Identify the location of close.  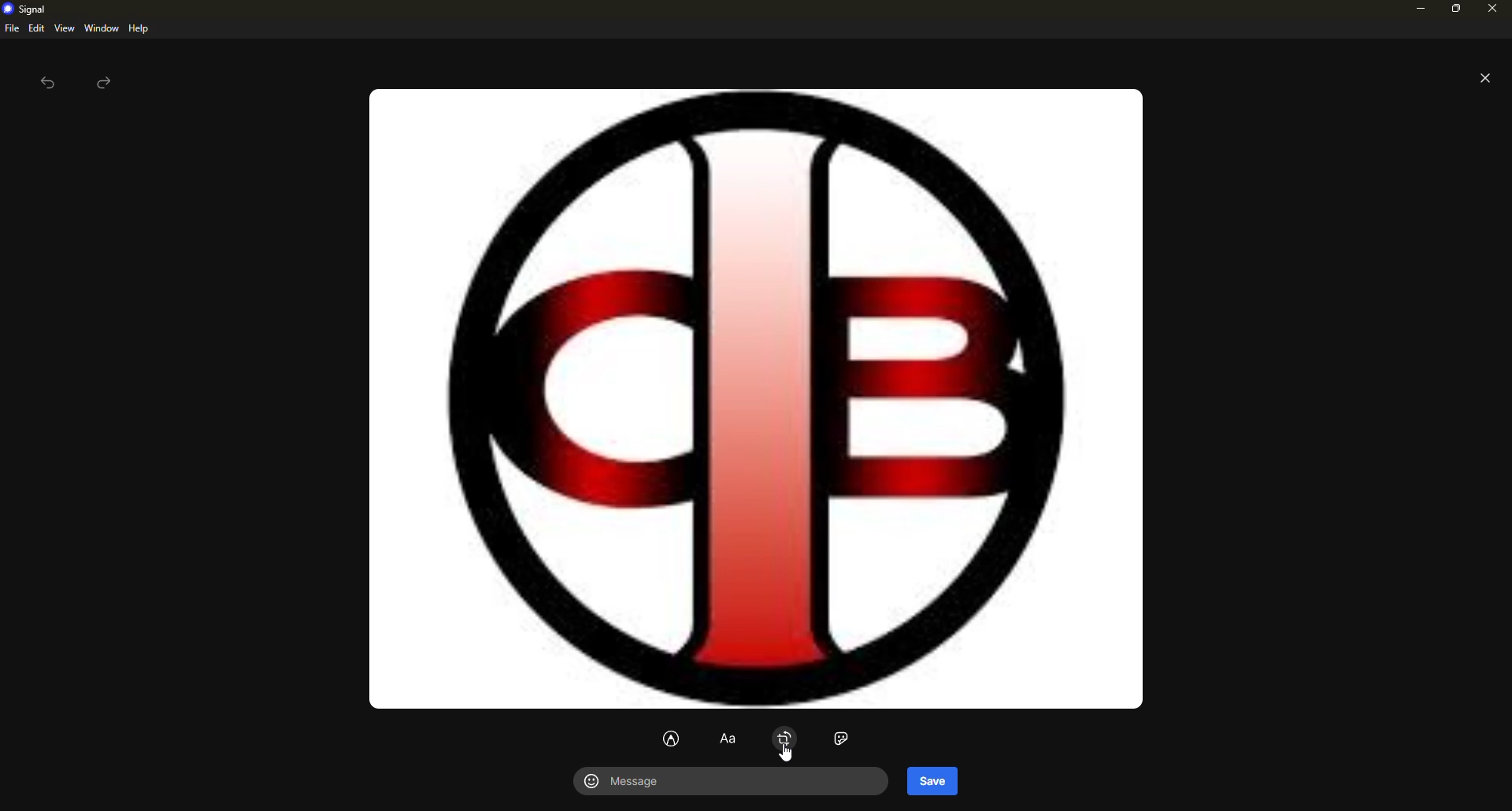
(1484, 77).